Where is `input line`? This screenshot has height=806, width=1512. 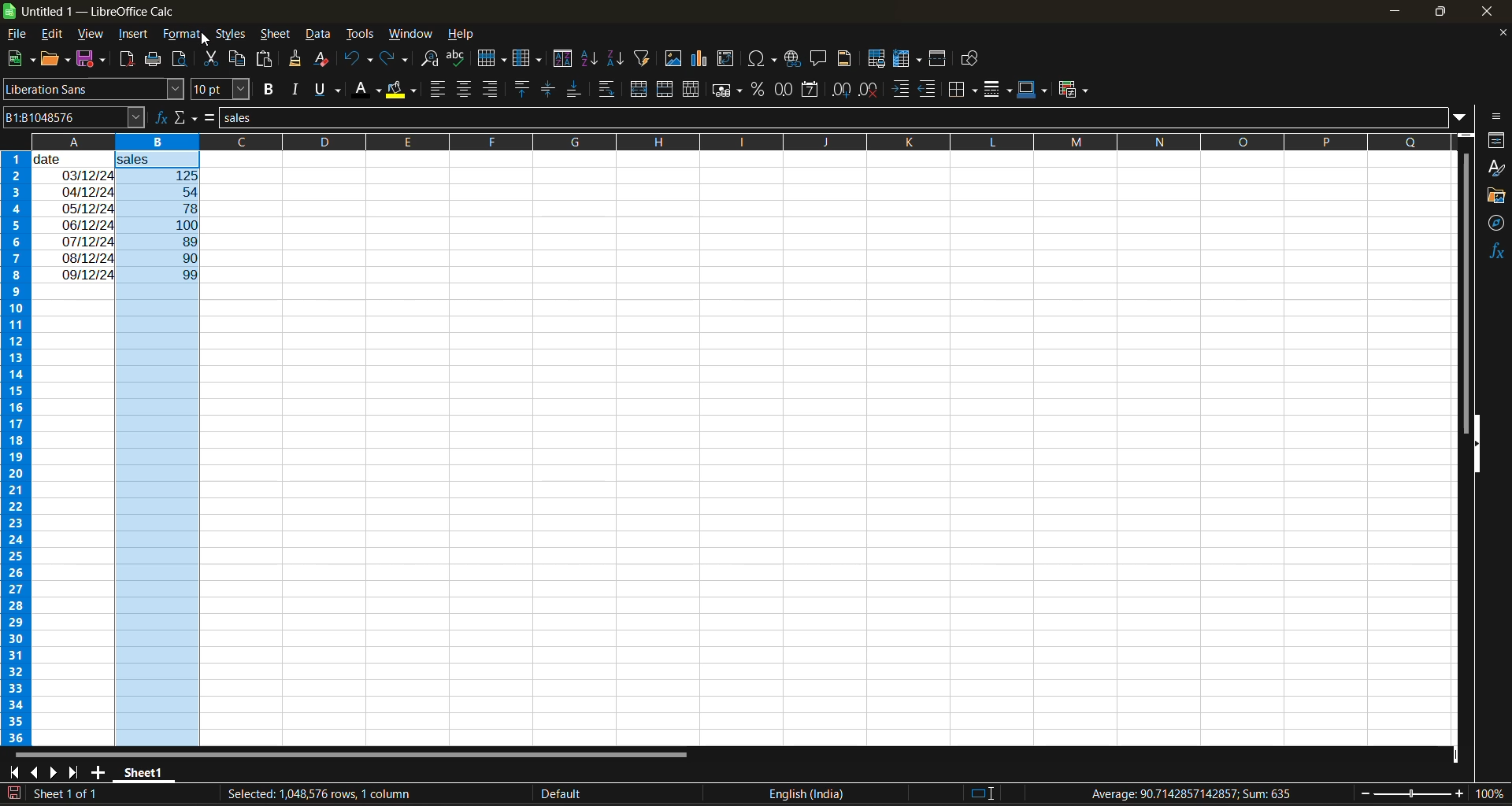
input line is located at coordinates (836, 119).